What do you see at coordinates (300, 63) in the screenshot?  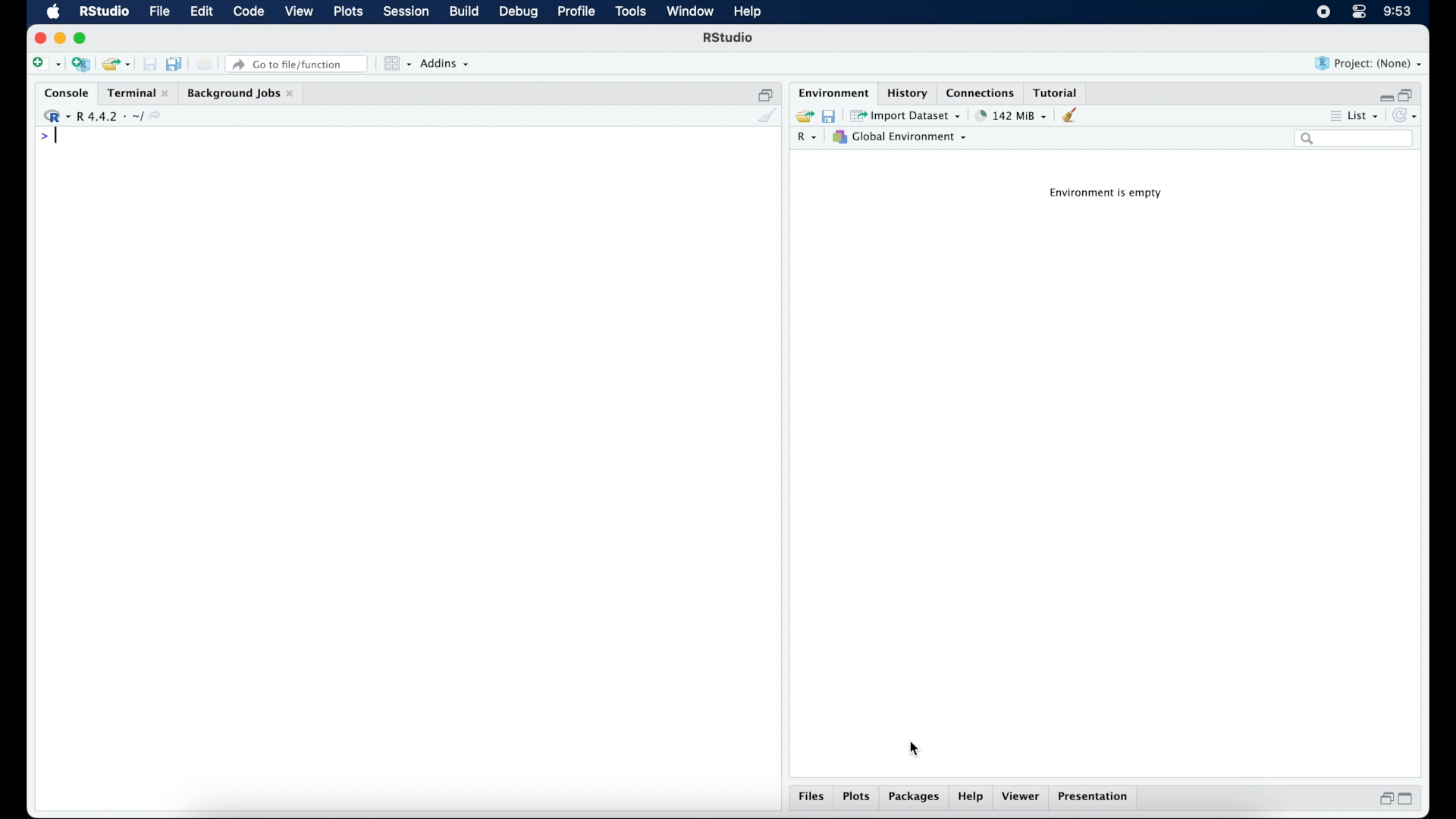 I see `Go to file/ function` at bounding box center [300, 63].